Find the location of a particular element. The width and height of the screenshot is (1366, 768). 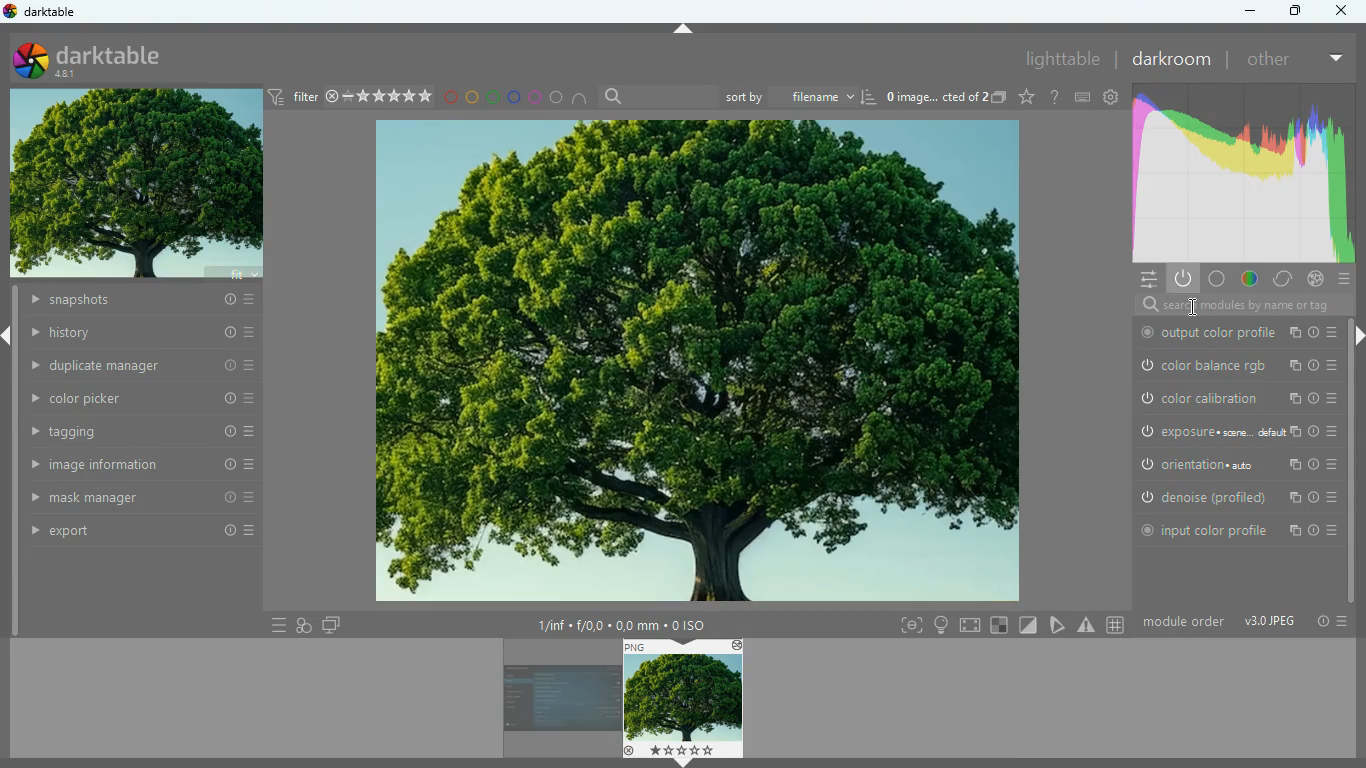

color balance rgb is located at coordinates (1236, 364).